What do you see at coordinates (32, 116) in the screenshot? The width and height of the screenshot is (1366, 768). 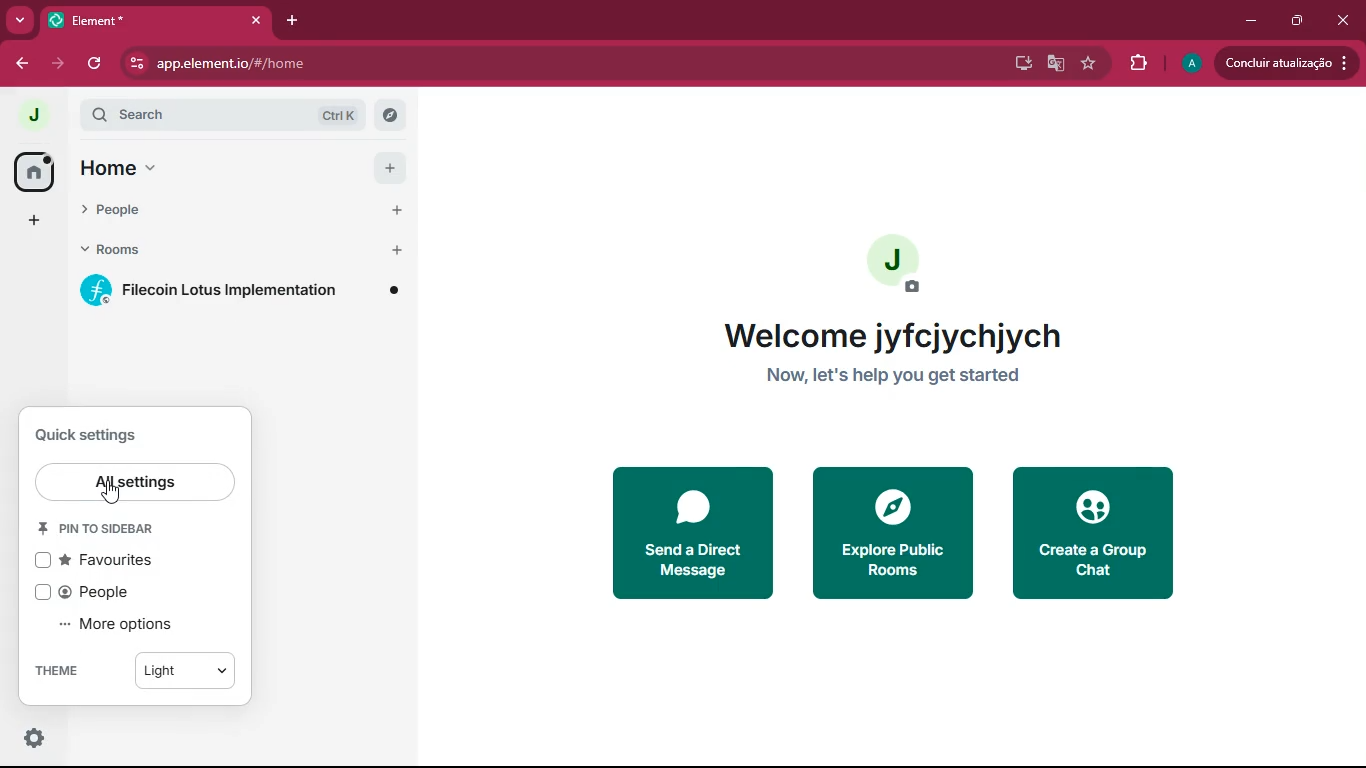 I see `profile picture` at bounding box center [32, 116].